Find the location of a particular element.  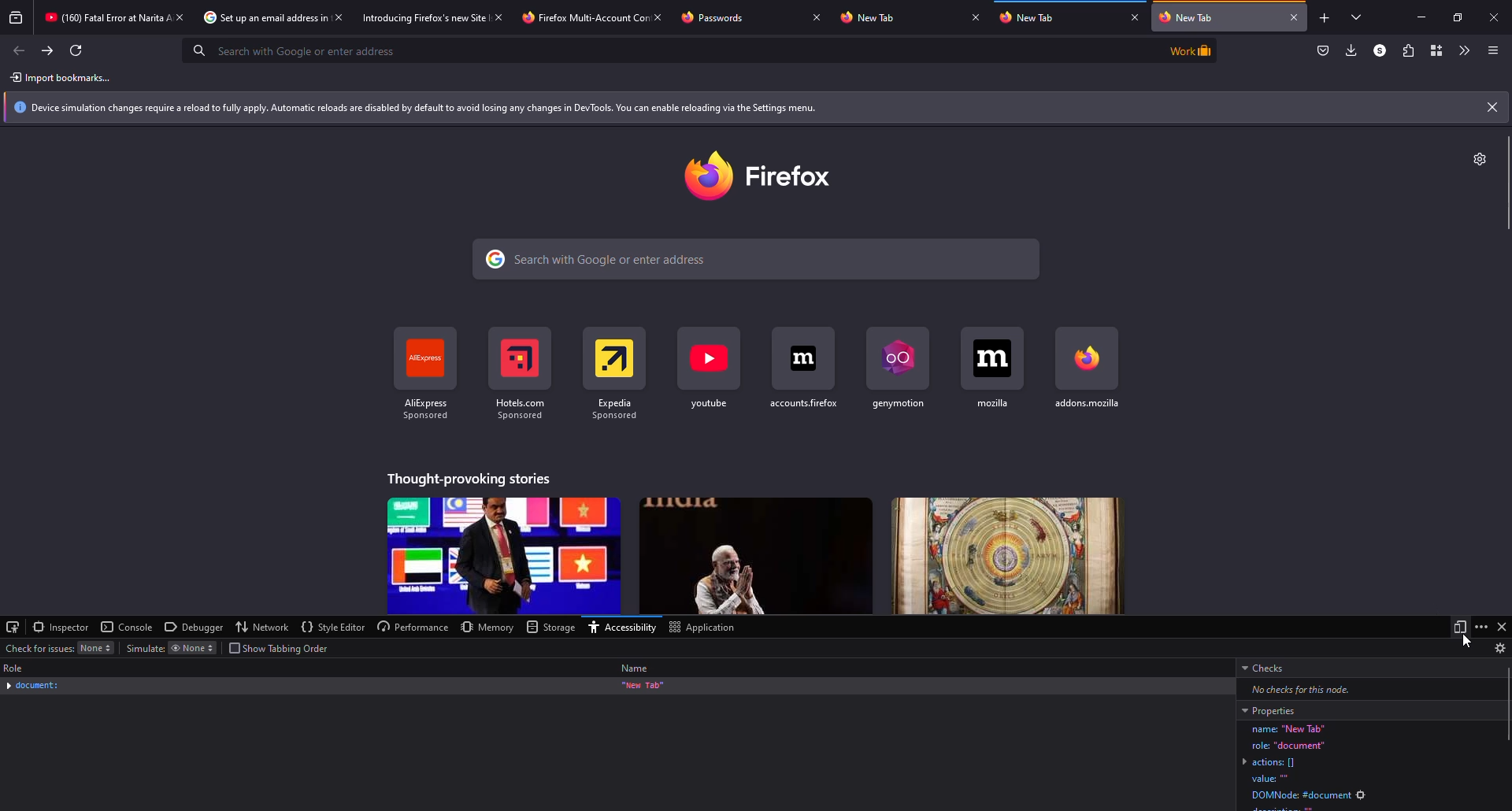

Firefox Mozilla shortcut is located at coordinates (1088, 368).